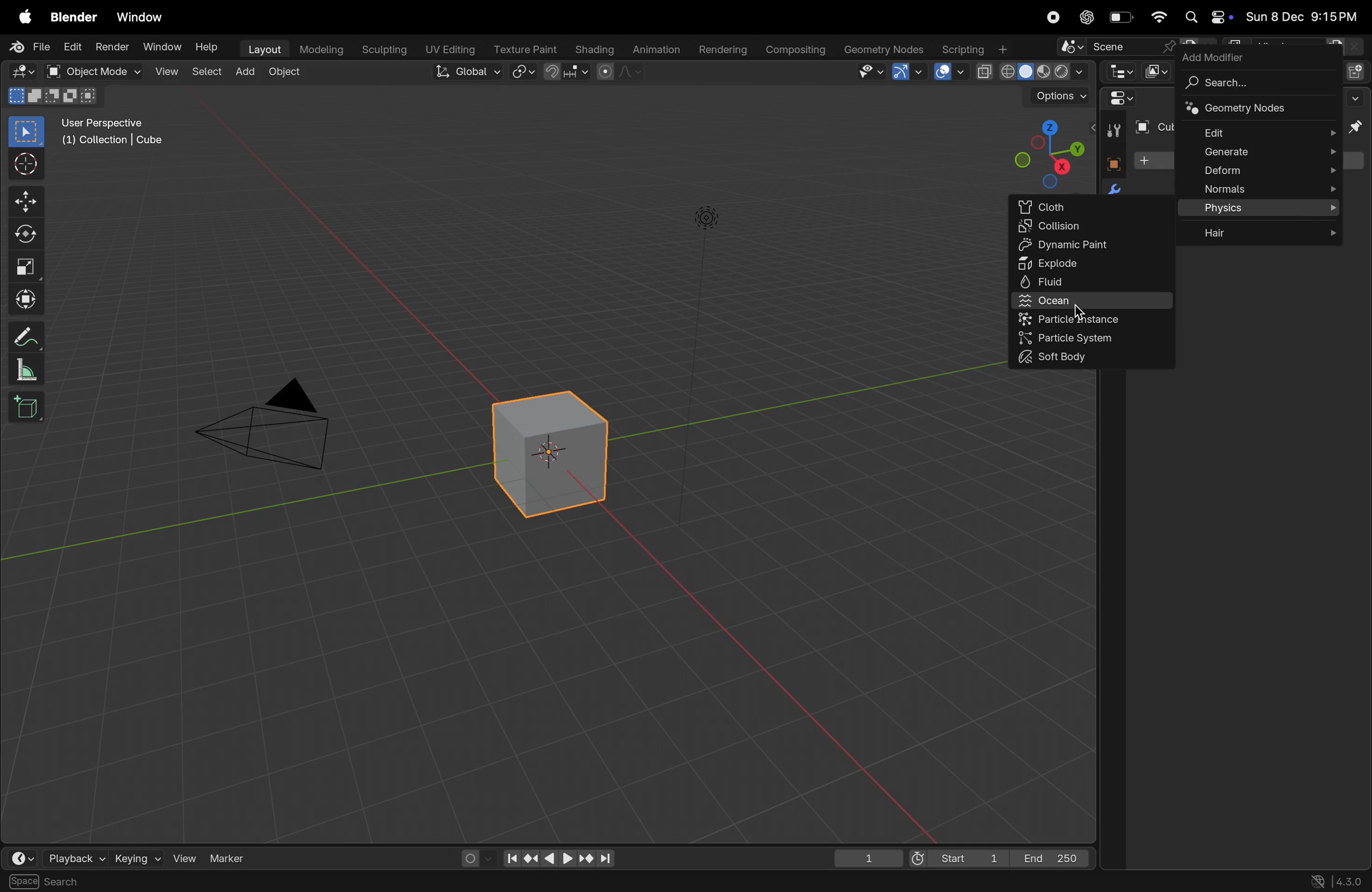 This screenshot has width=1372, height=892. I want to click on boject, so click(556, 453).